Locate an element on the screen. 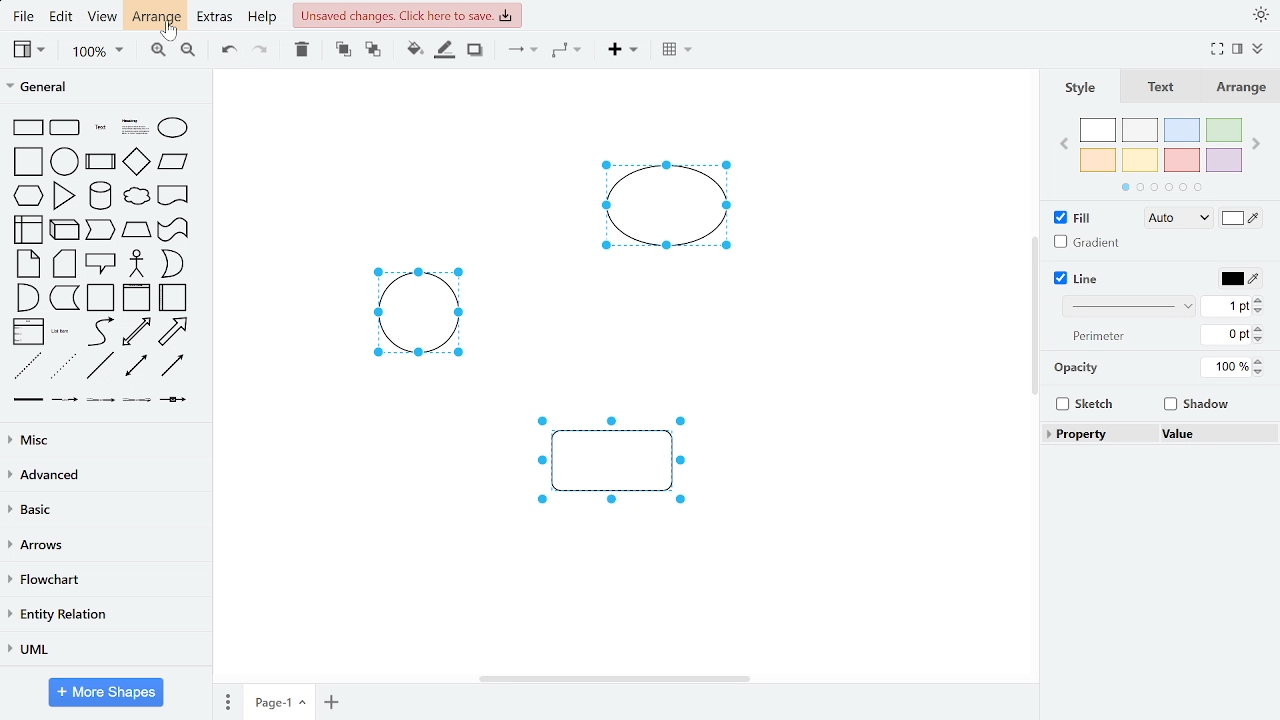  file is located at coordinates (24, 16).